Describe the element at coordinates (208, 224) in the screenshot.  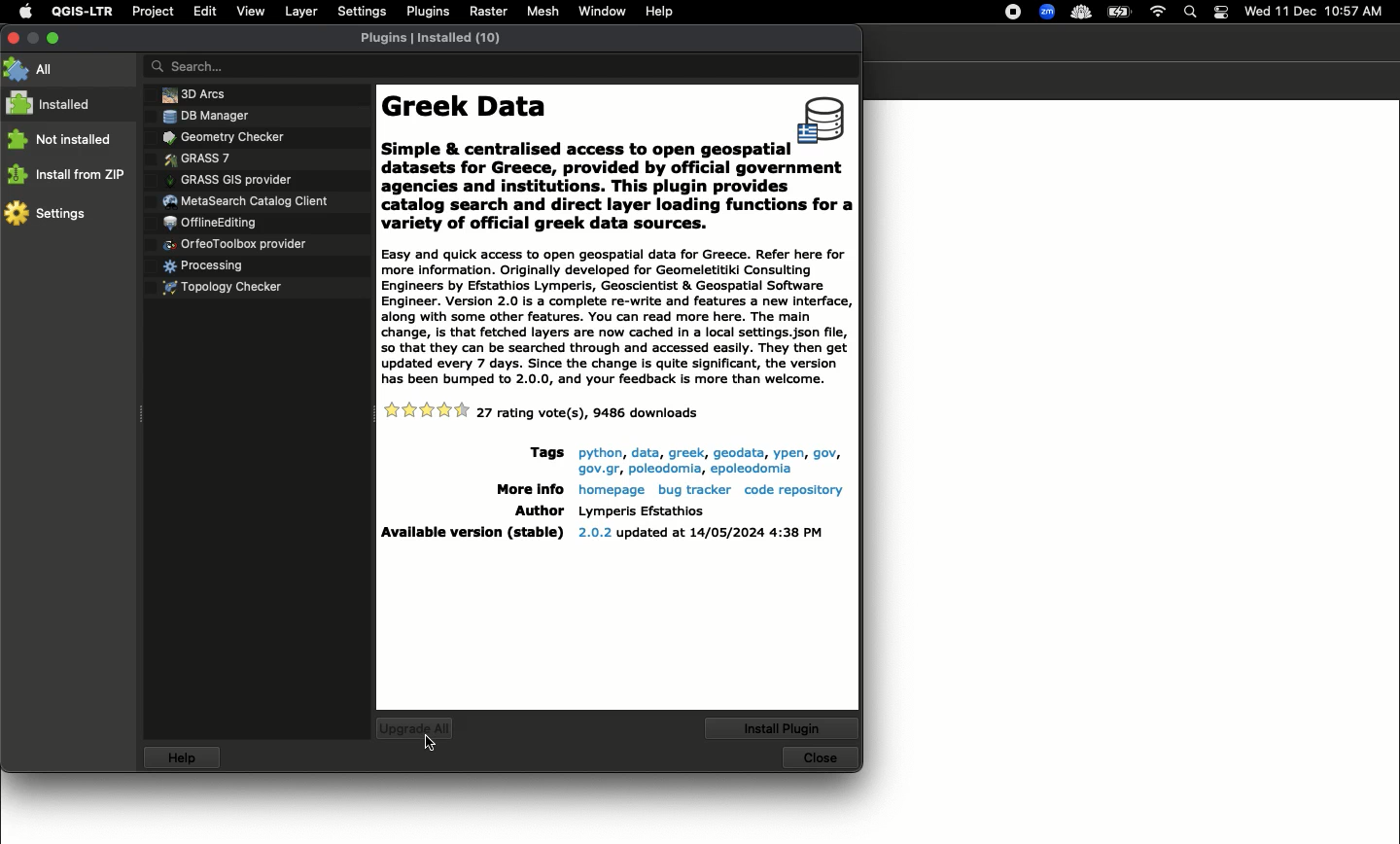
I see `Offline editing` at that location.